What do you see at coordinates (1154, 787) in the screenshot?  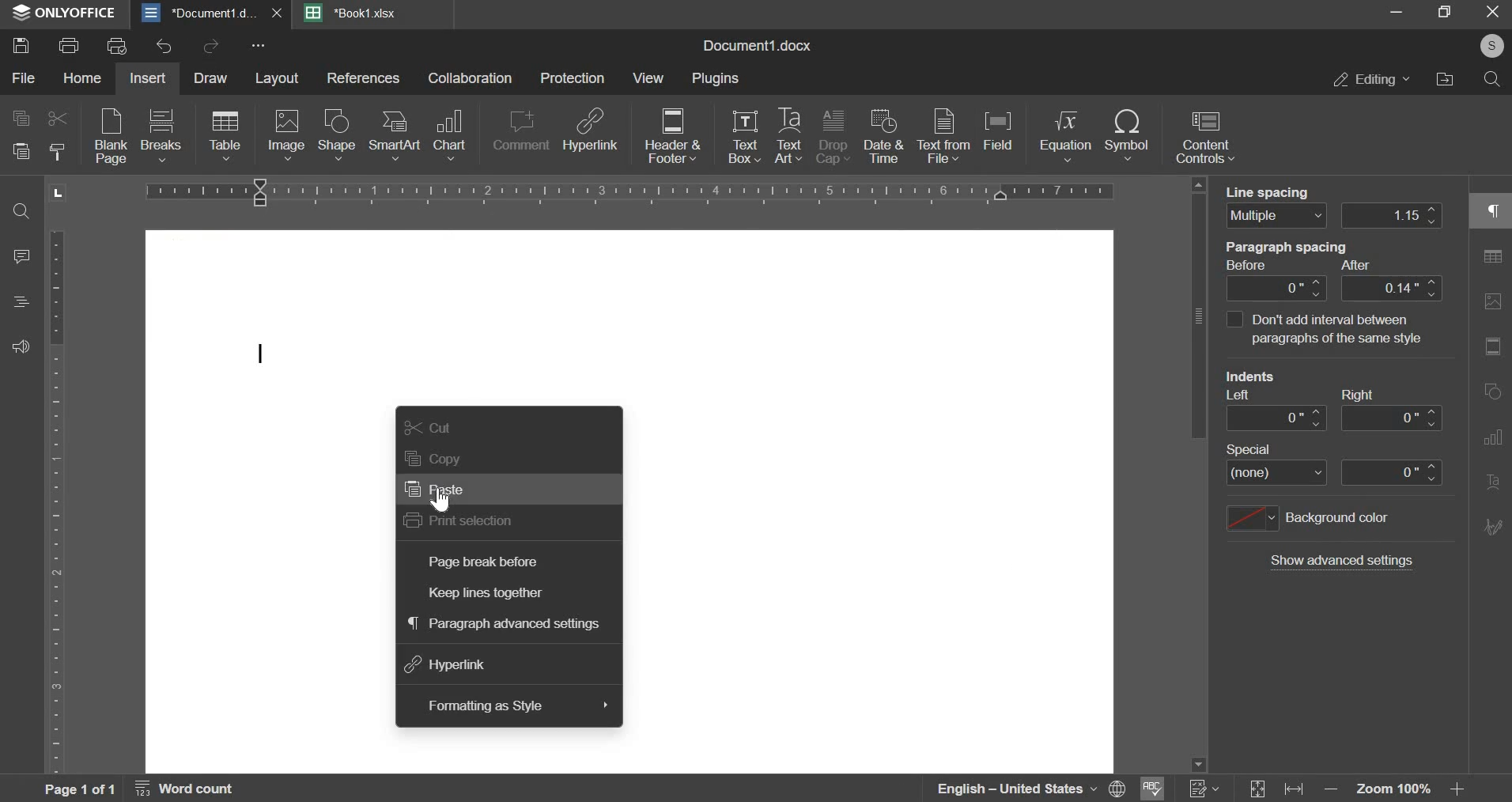 I see `spelling` at bounding box center [1154, 787].